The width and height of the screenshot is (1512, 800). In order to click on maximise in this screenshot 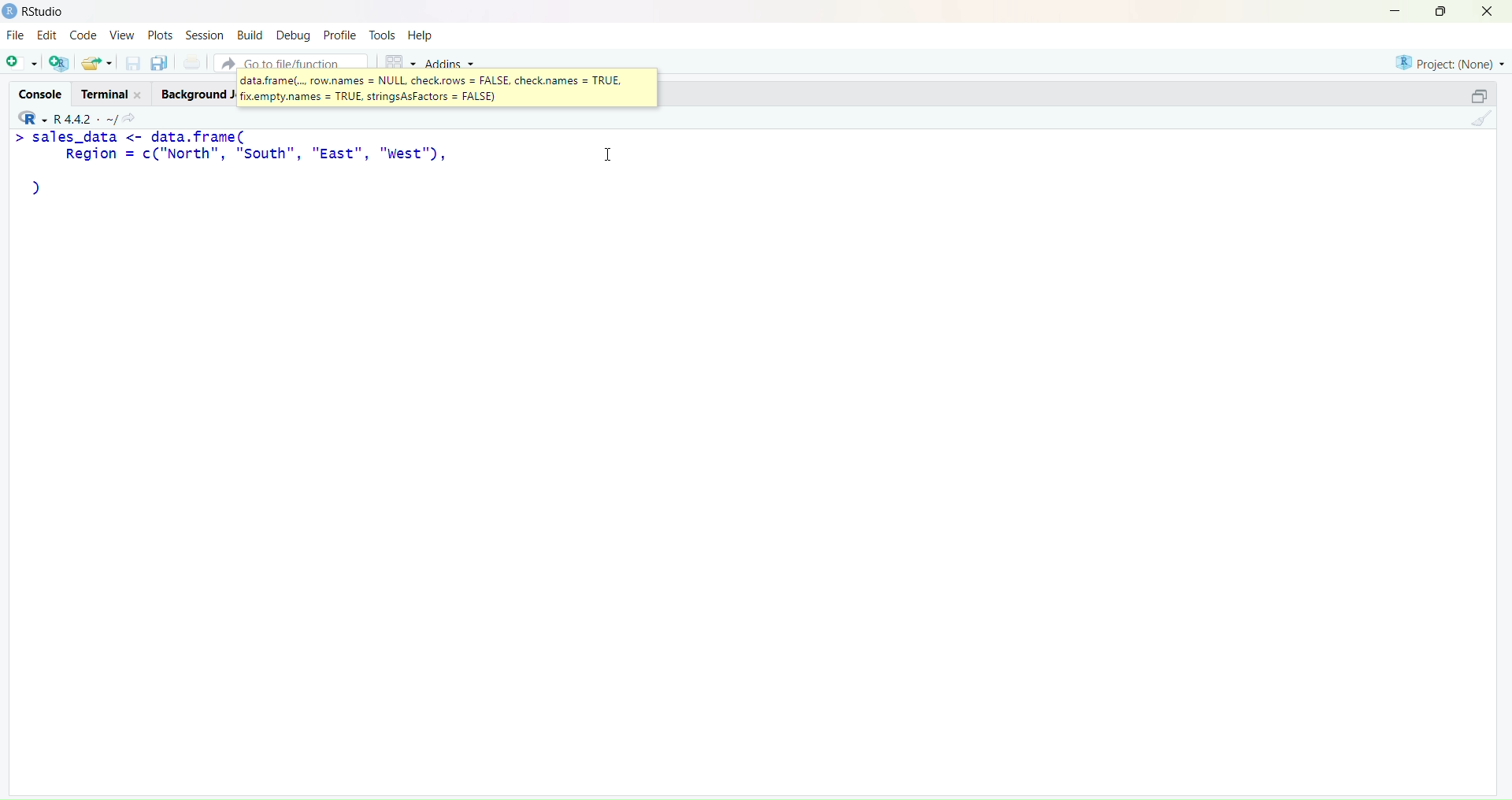, I will do `click(1471, 94)`.